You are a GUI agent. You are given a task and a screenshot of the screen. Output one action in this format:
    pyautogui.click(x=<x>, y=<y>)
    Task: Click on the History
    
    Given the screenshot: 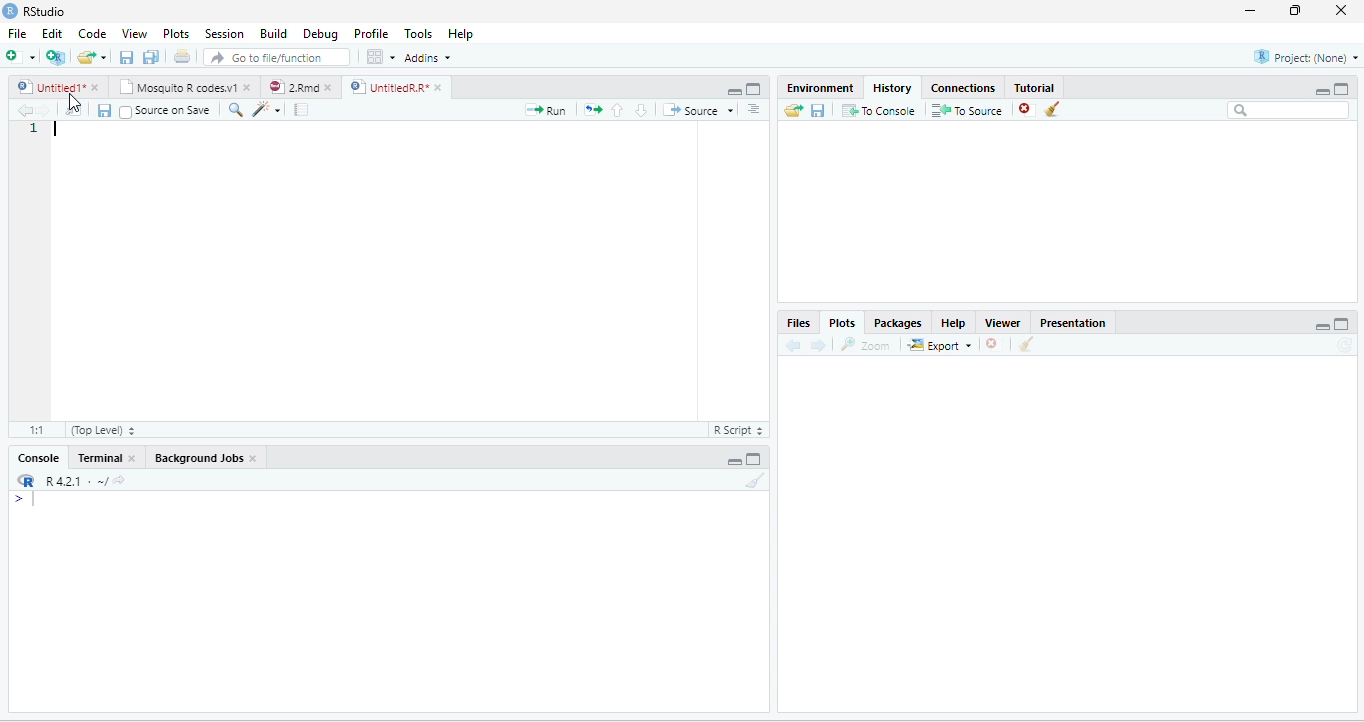 What is the action you would take?
    pyautogui.click(x=891, y=88)
    